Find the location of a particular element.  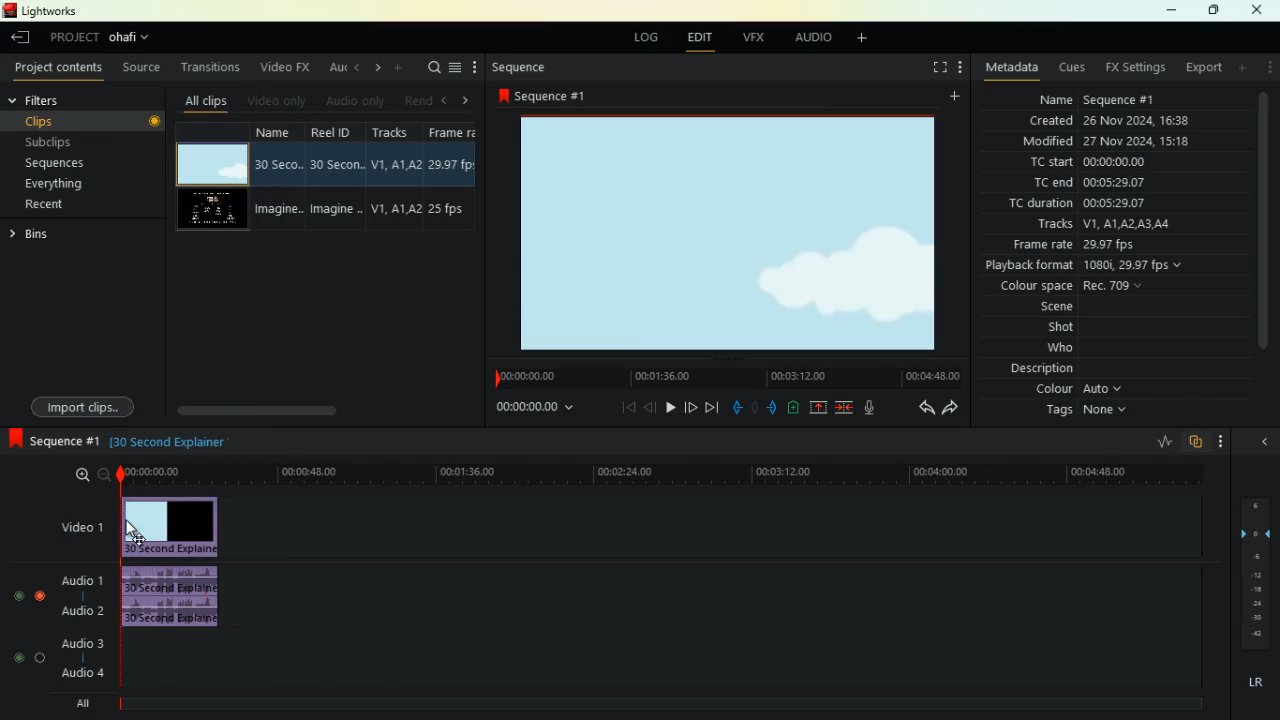

time is located at coordinates (722, 376).